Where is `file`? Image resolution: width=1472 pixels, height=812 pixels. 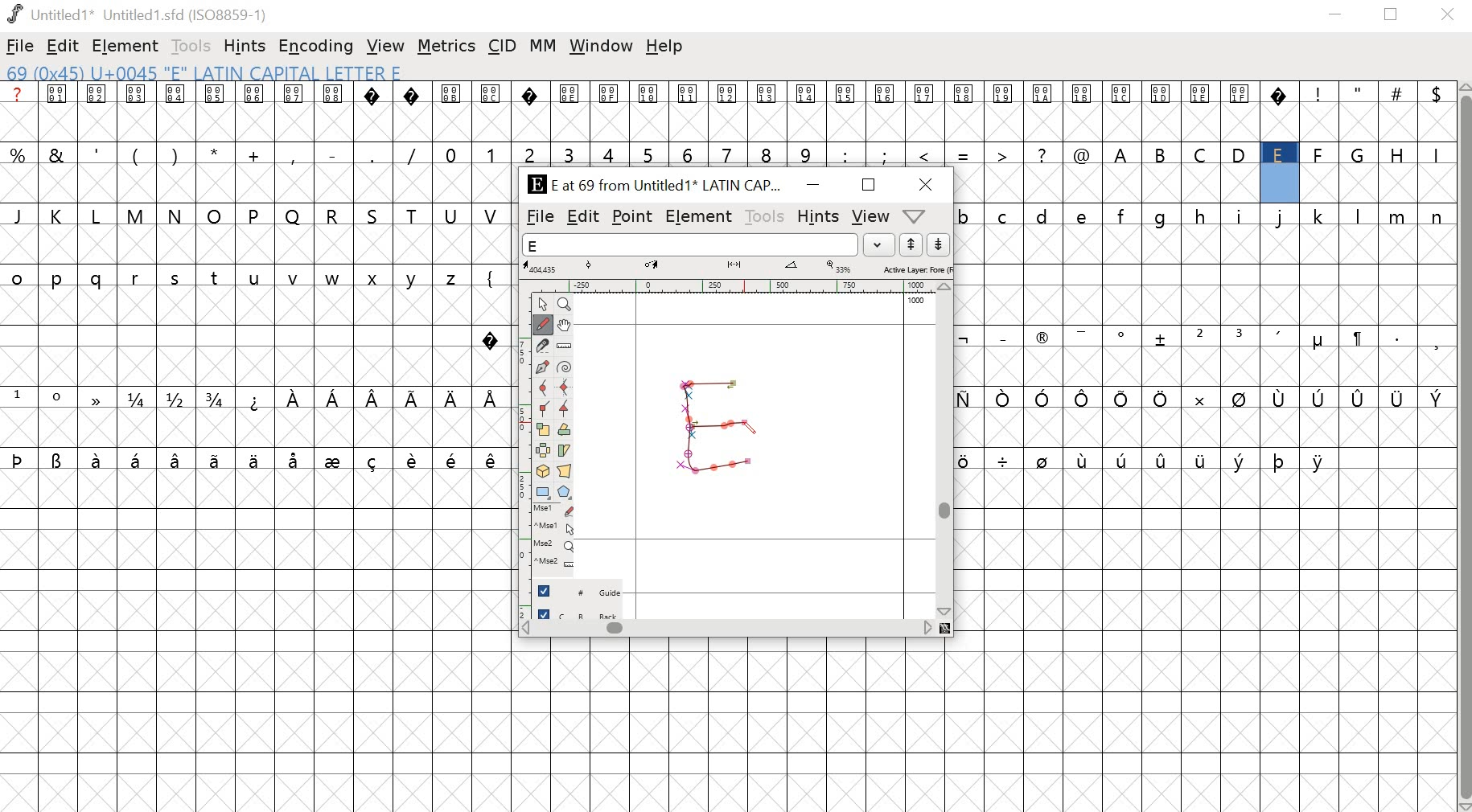 file is located at coordinates (540, 217).